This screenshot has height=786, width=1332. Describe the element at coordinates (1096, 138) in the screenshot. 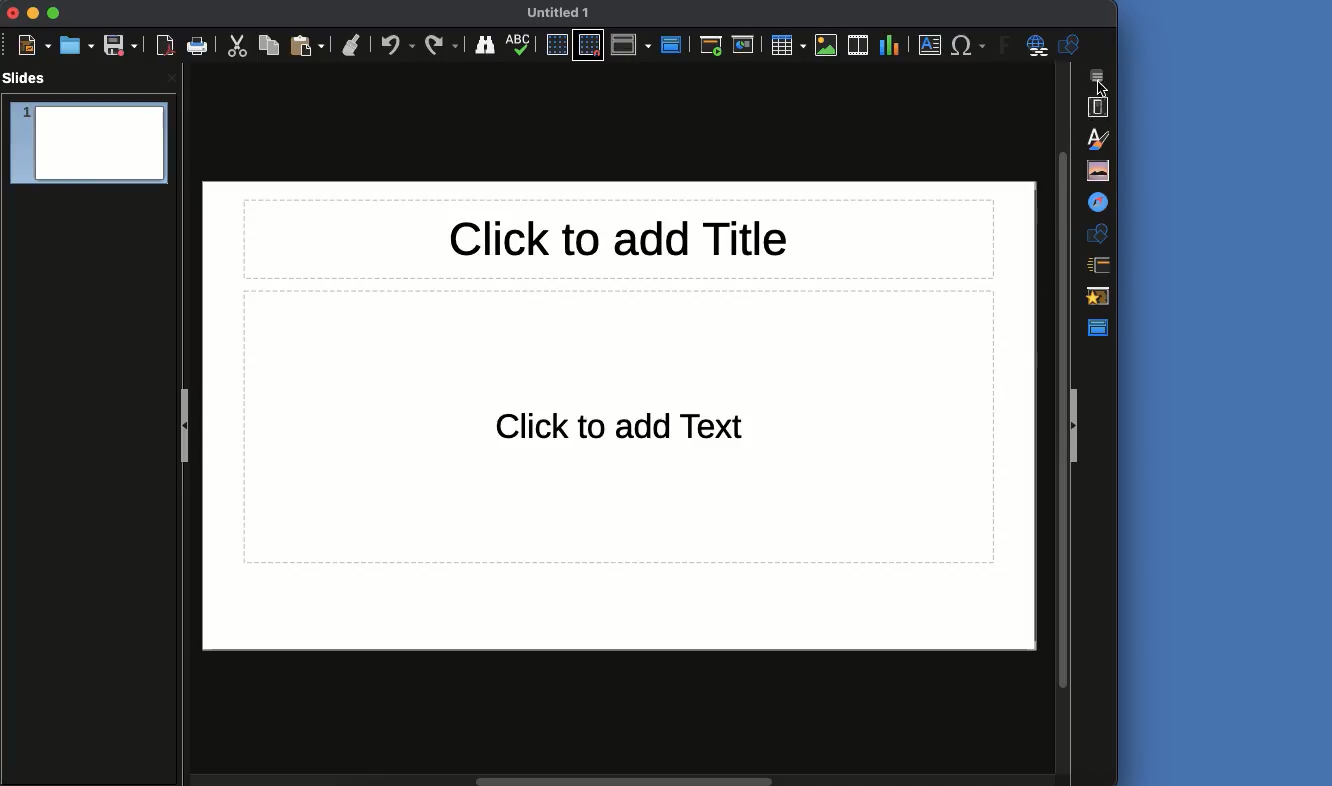

I see `Styles` at that location.